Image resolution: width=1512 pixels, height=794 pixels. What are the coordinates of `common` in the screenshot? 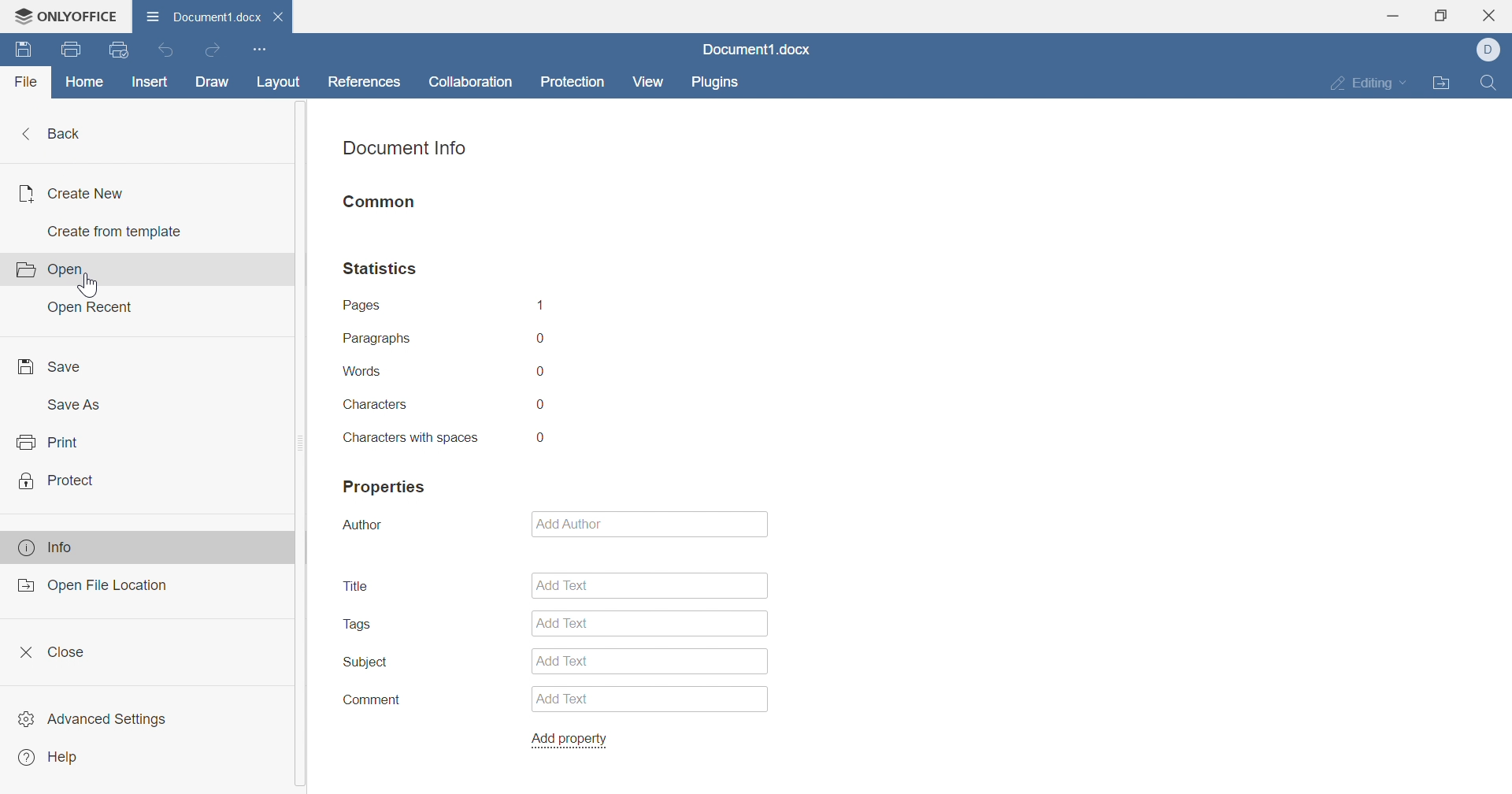 It's located at (379, 202).